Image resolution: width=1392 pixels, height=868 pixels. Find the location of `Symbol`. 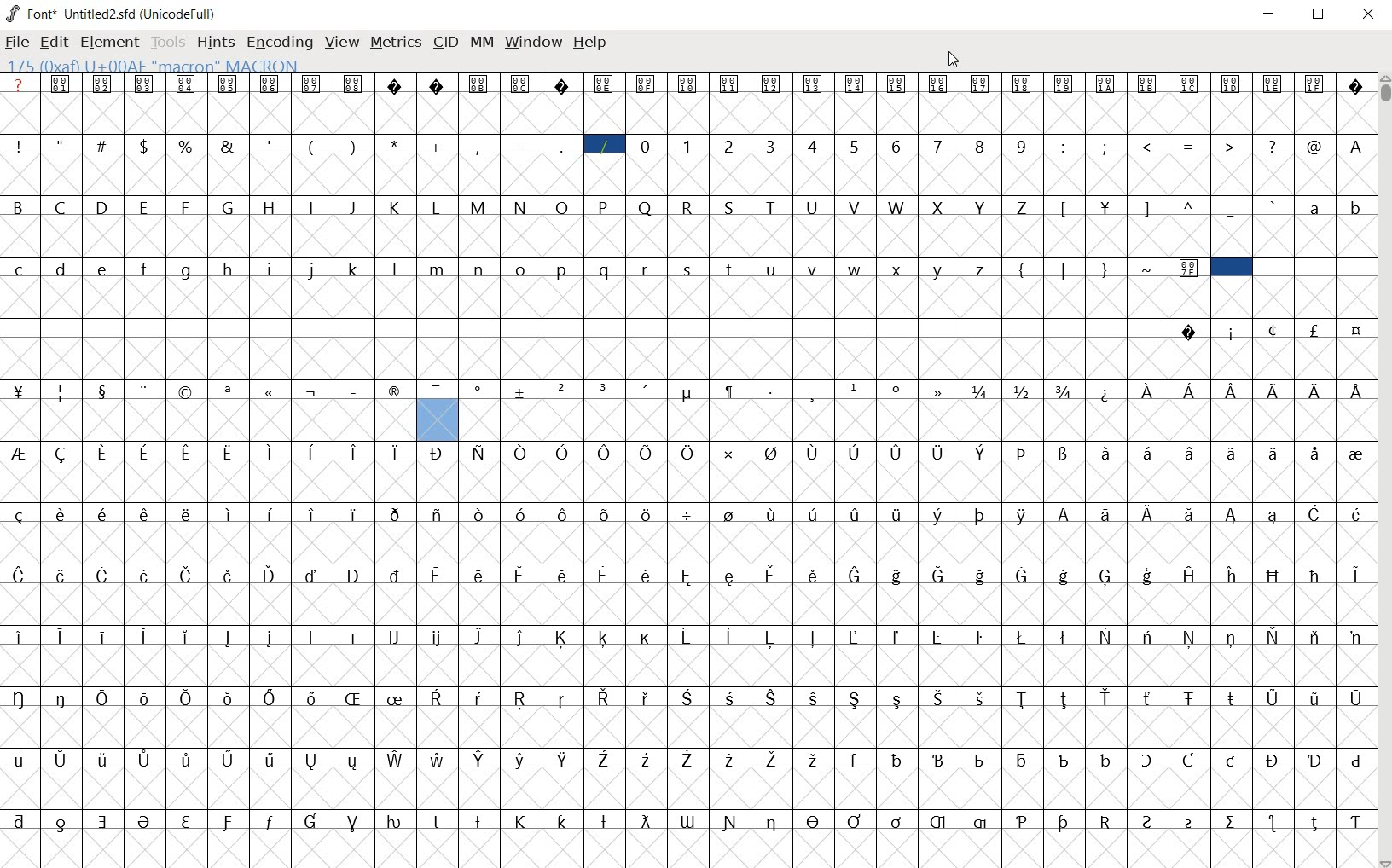

Symbol is located at coordinates (481, 758).